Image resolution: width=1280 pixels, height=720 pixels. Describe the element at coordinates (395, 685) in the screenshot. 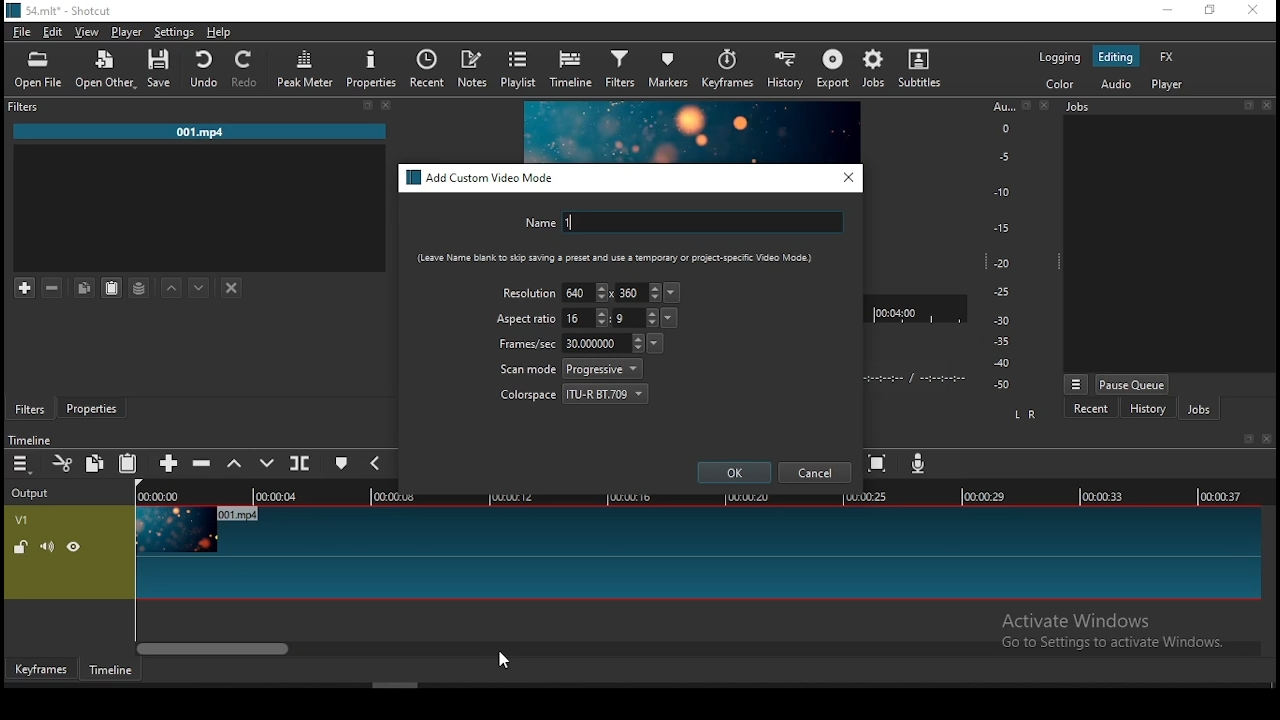

I see `scroll` at that location.